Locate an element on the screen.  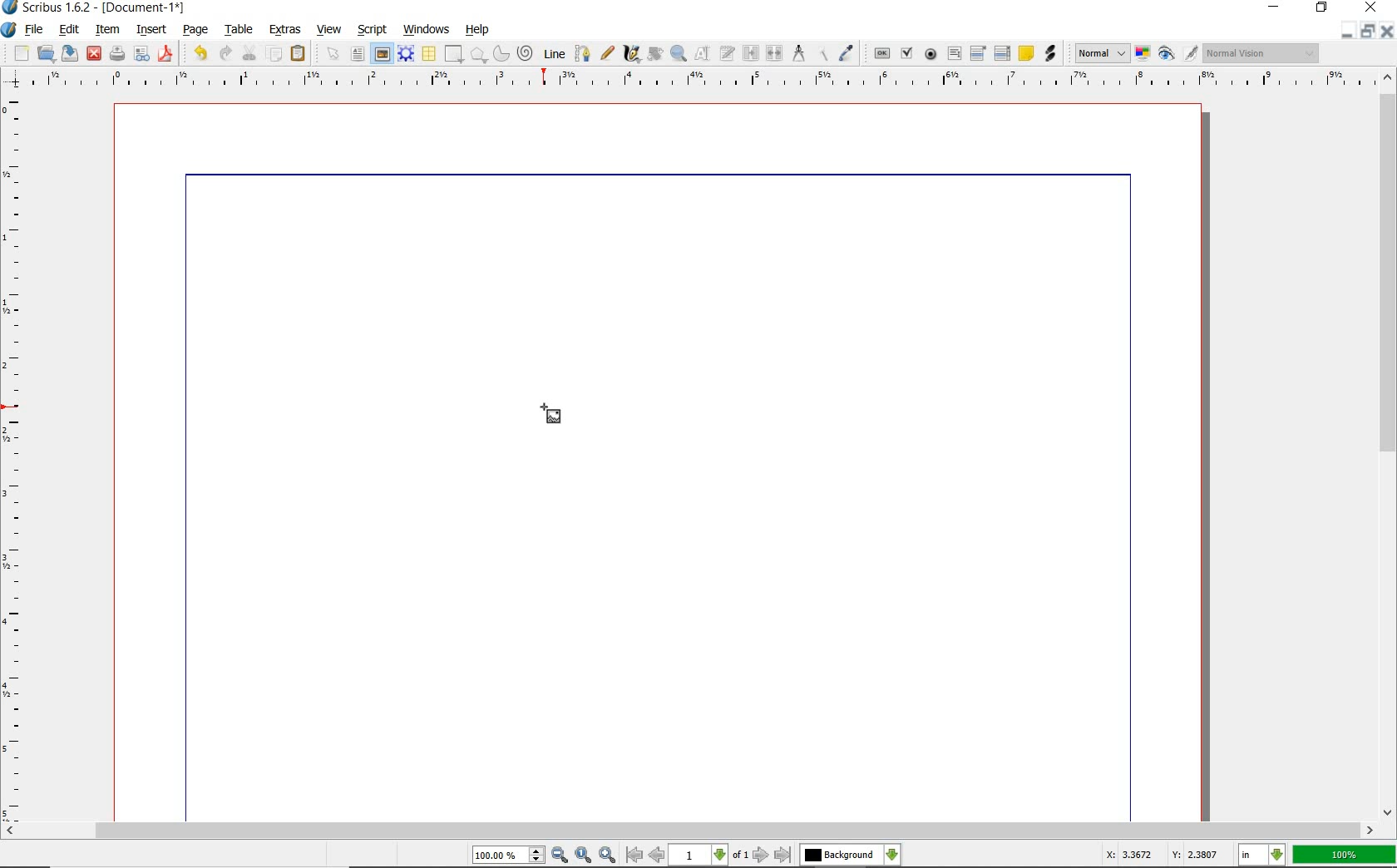
Cursor Coordinates is located at coordinates (1159, 857).